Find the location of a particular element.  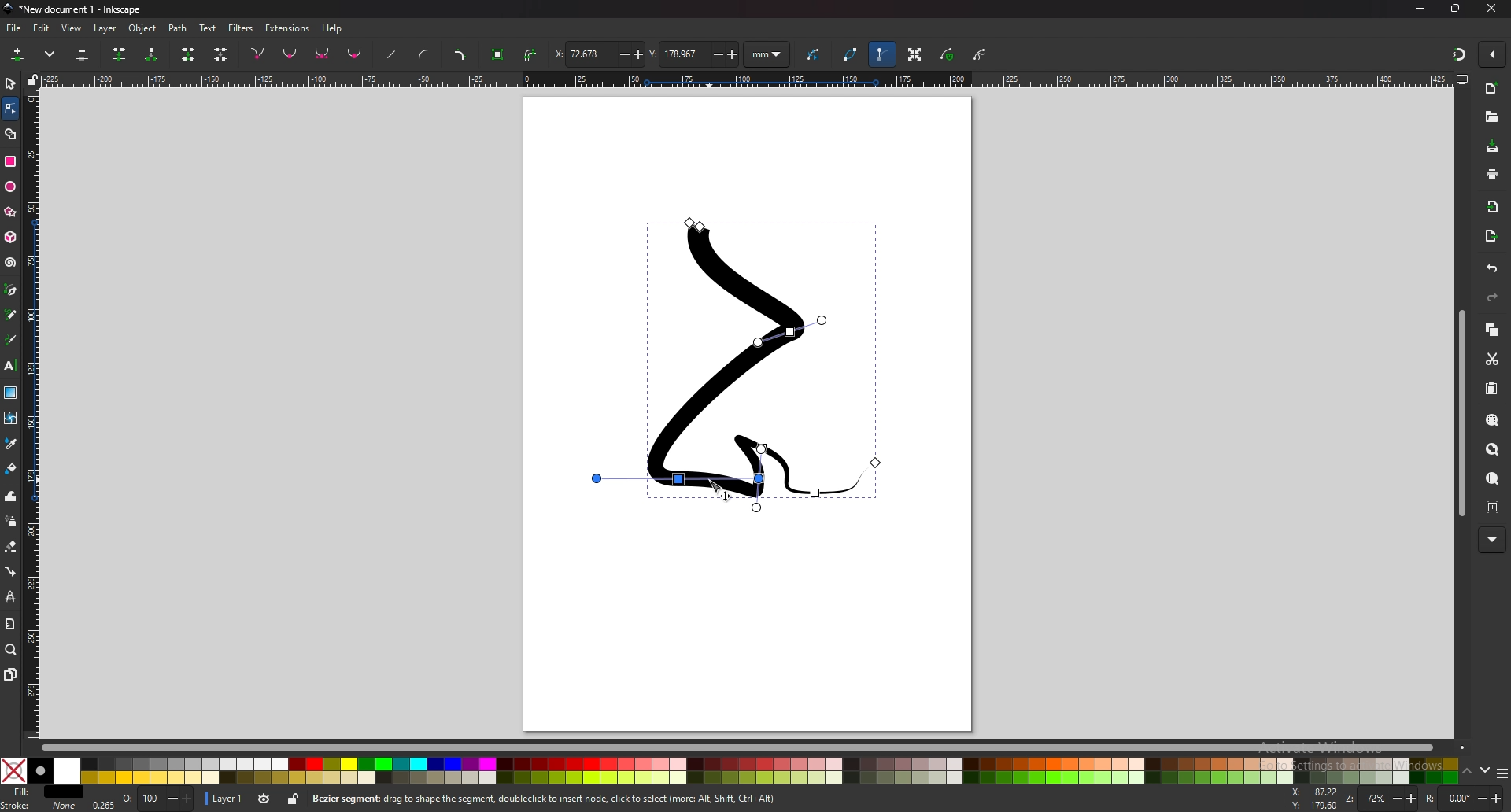

stars and polygons is located at coordinates (9, 212).